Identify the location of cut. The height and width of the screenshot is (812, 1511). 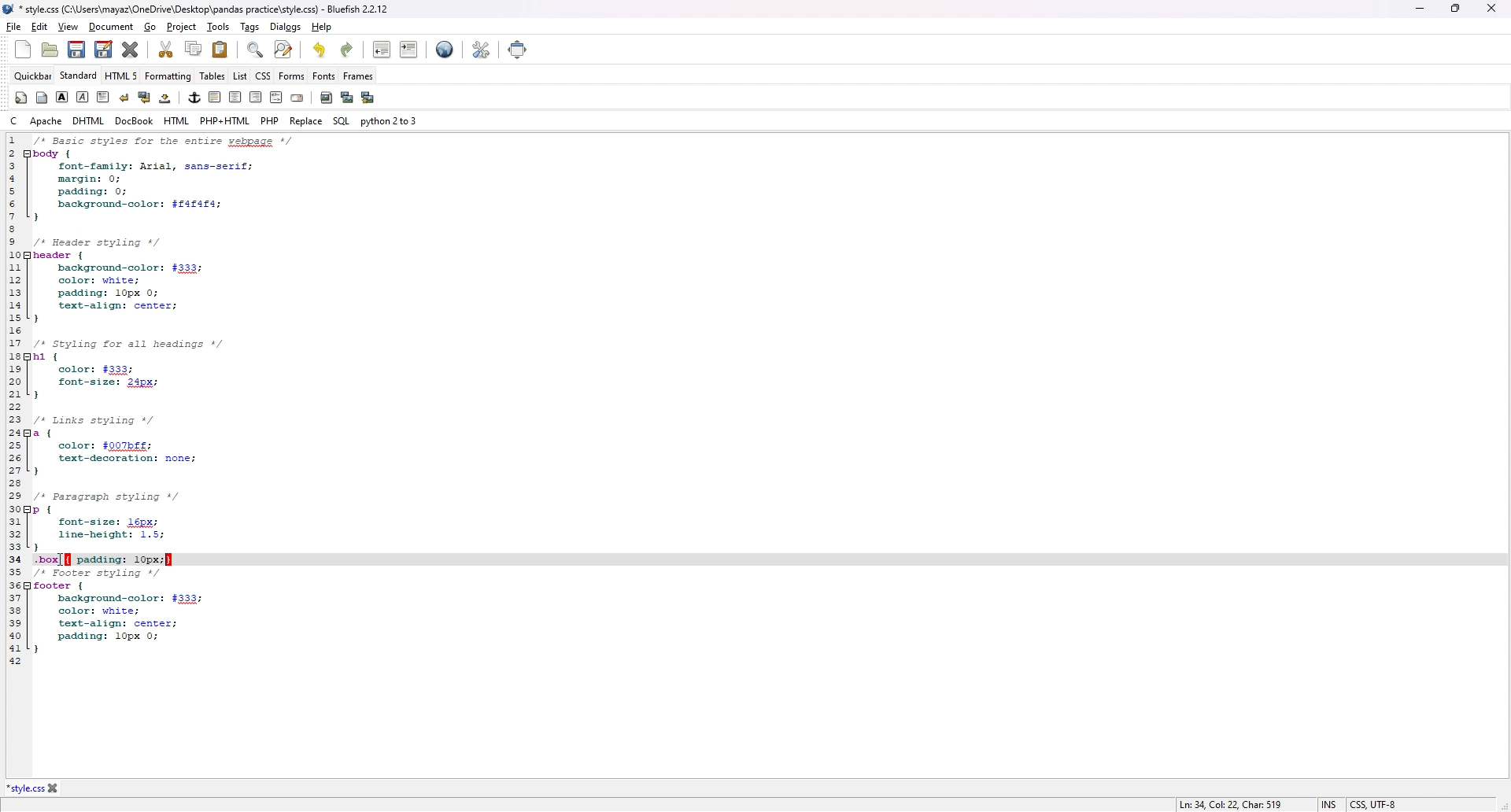
(168, 49).